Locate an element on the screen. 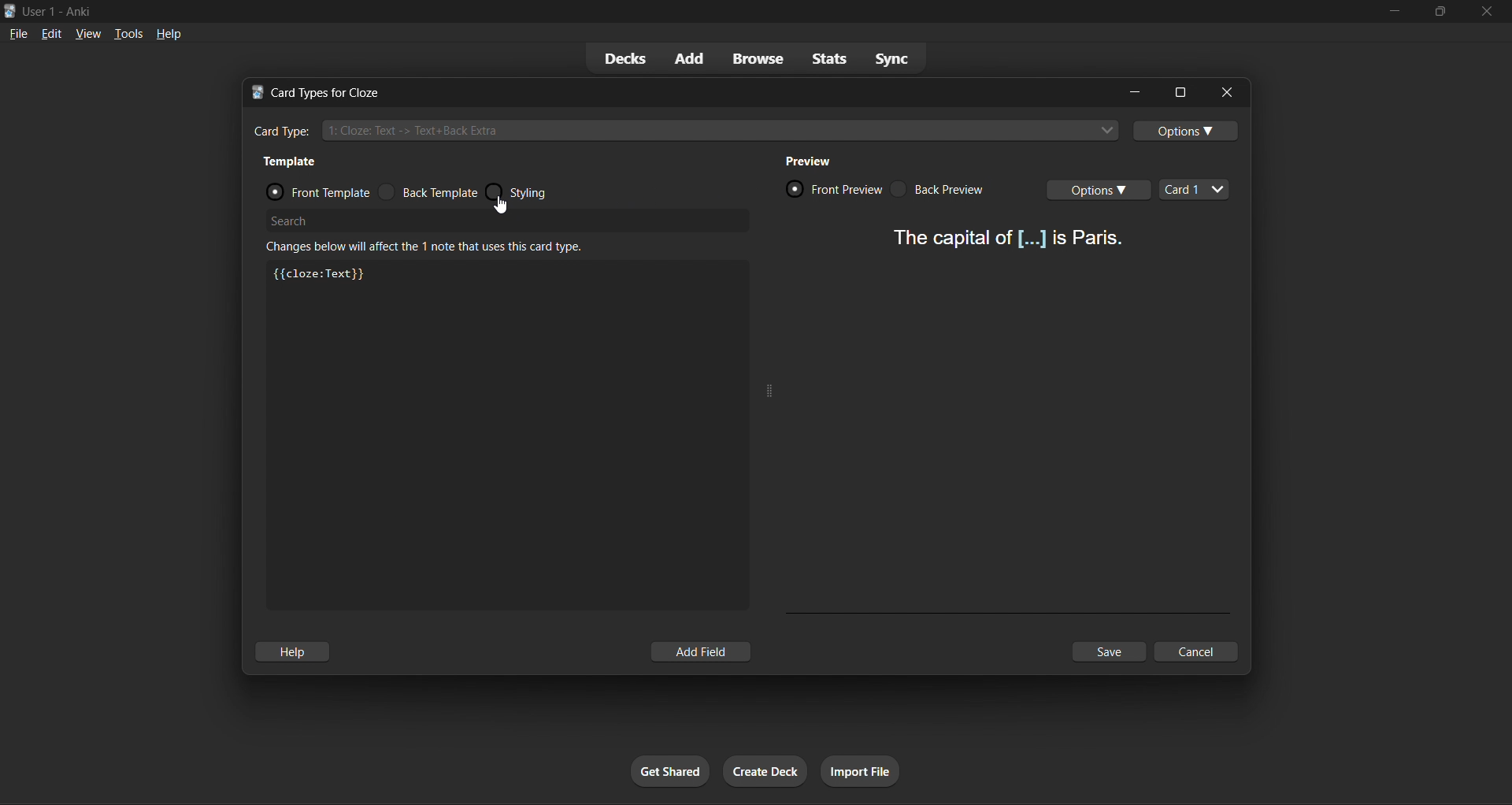  file is located at coordinates (18, 33).